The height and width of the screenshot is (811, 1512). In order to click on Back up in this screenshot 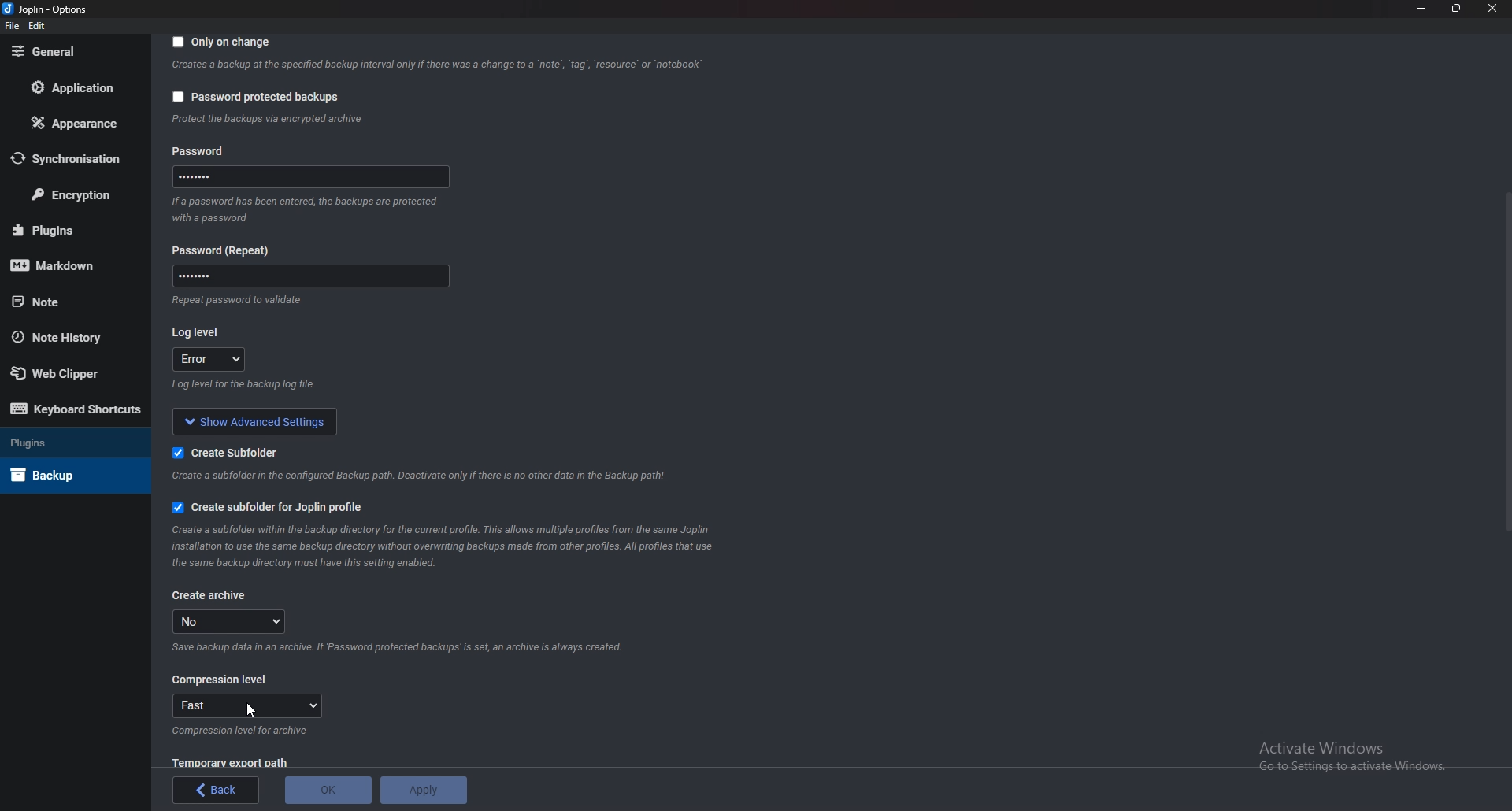, I will do `click(65, 475)`.